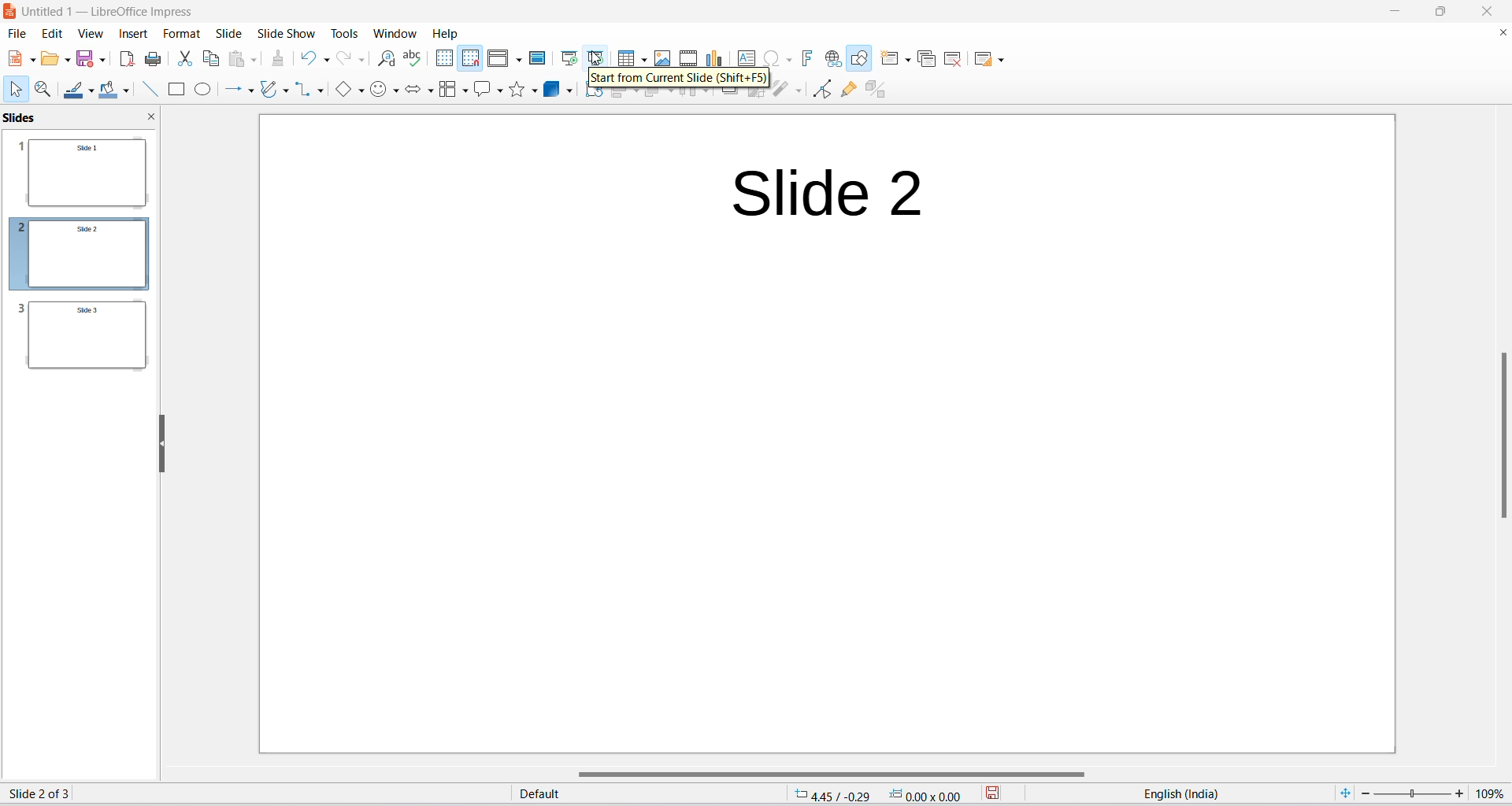 The image size is (1512, 806). Describe the element at coordinates (1431, 10) in the screenshot. I see `maximize` at that location.